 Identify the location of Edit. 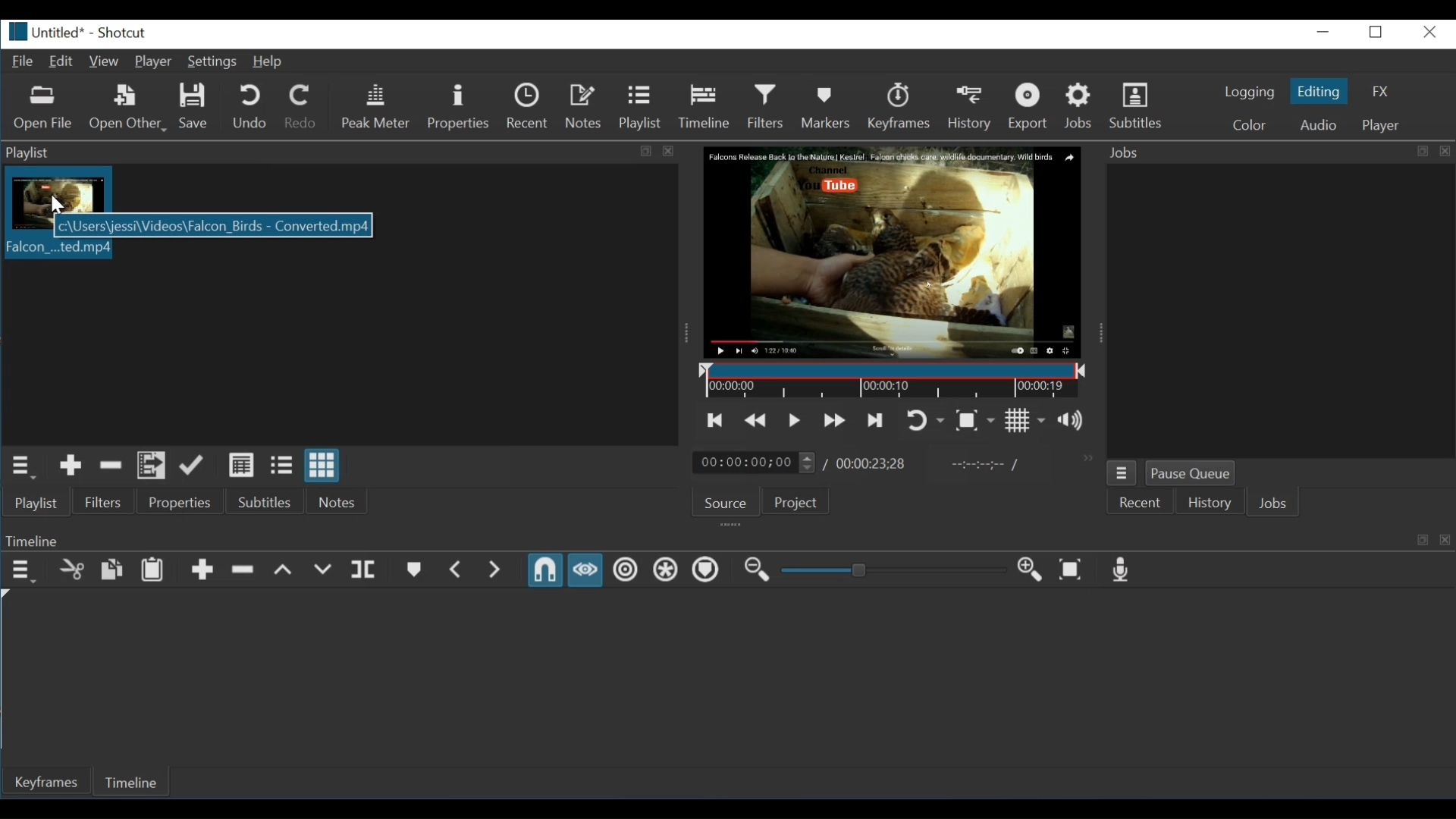
(61, 62).